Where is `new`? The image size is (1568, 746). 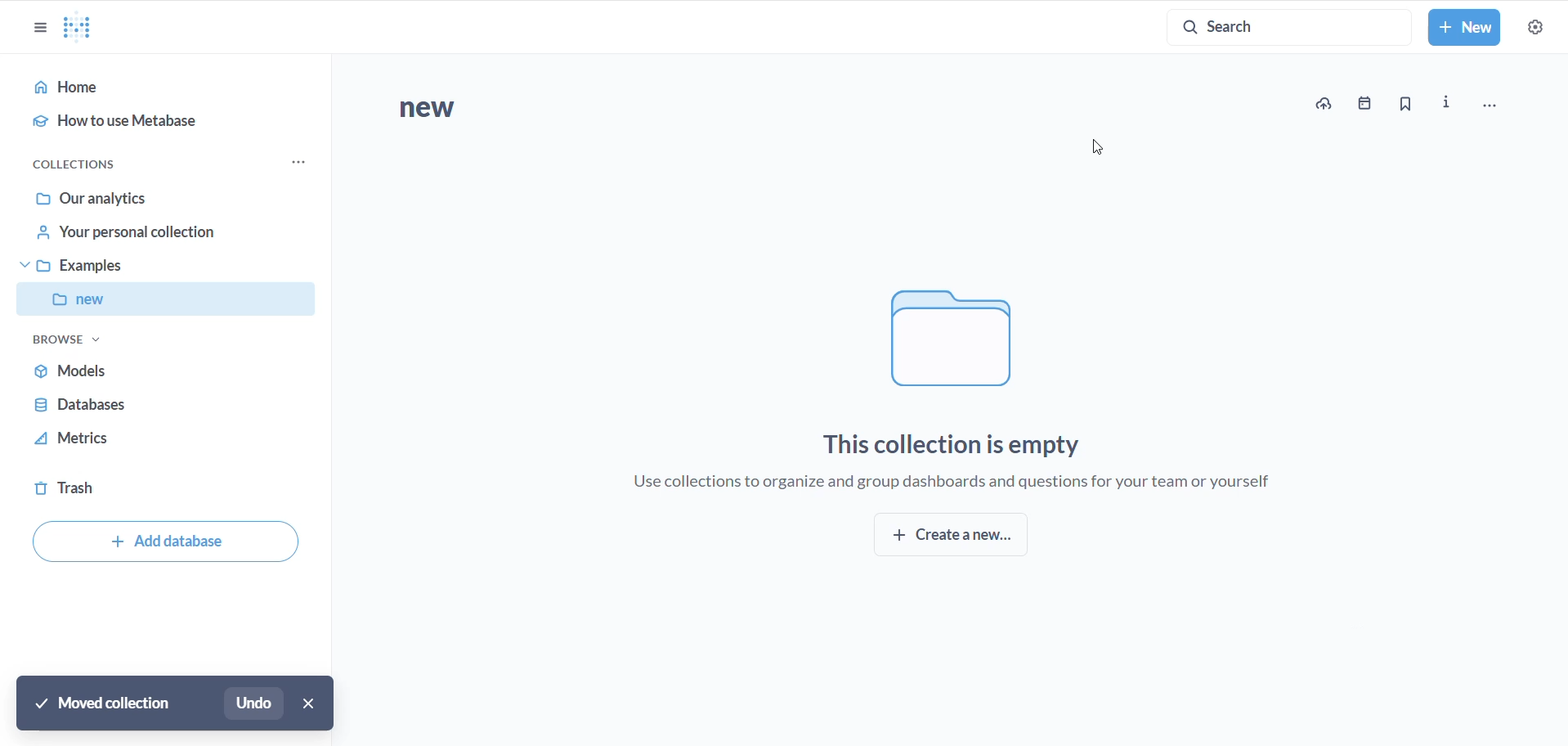
new is located at coordinates (476, 112).